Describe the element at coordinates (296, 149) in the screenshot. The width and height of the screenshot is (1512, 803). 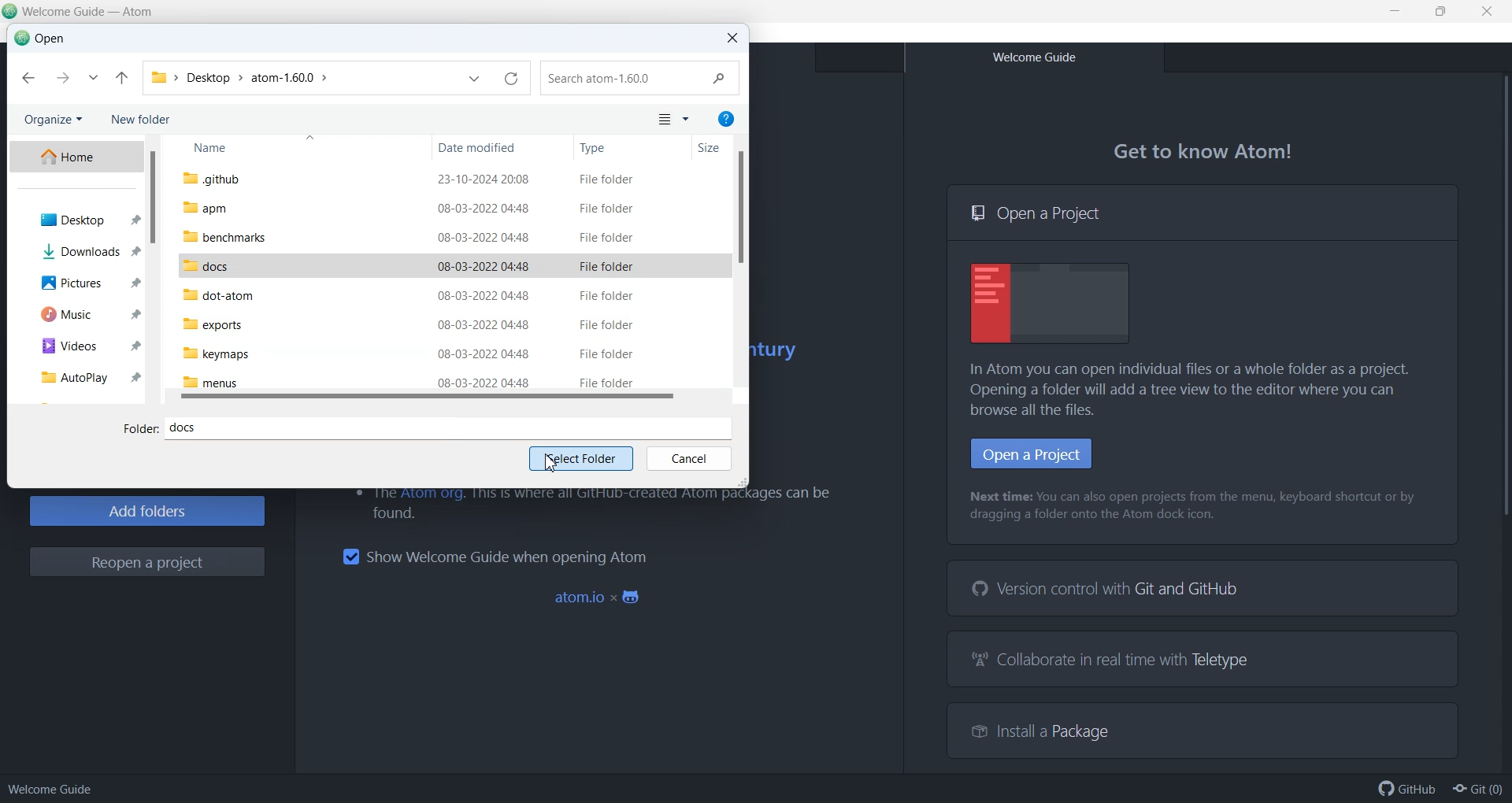
I see `Name` at that location.